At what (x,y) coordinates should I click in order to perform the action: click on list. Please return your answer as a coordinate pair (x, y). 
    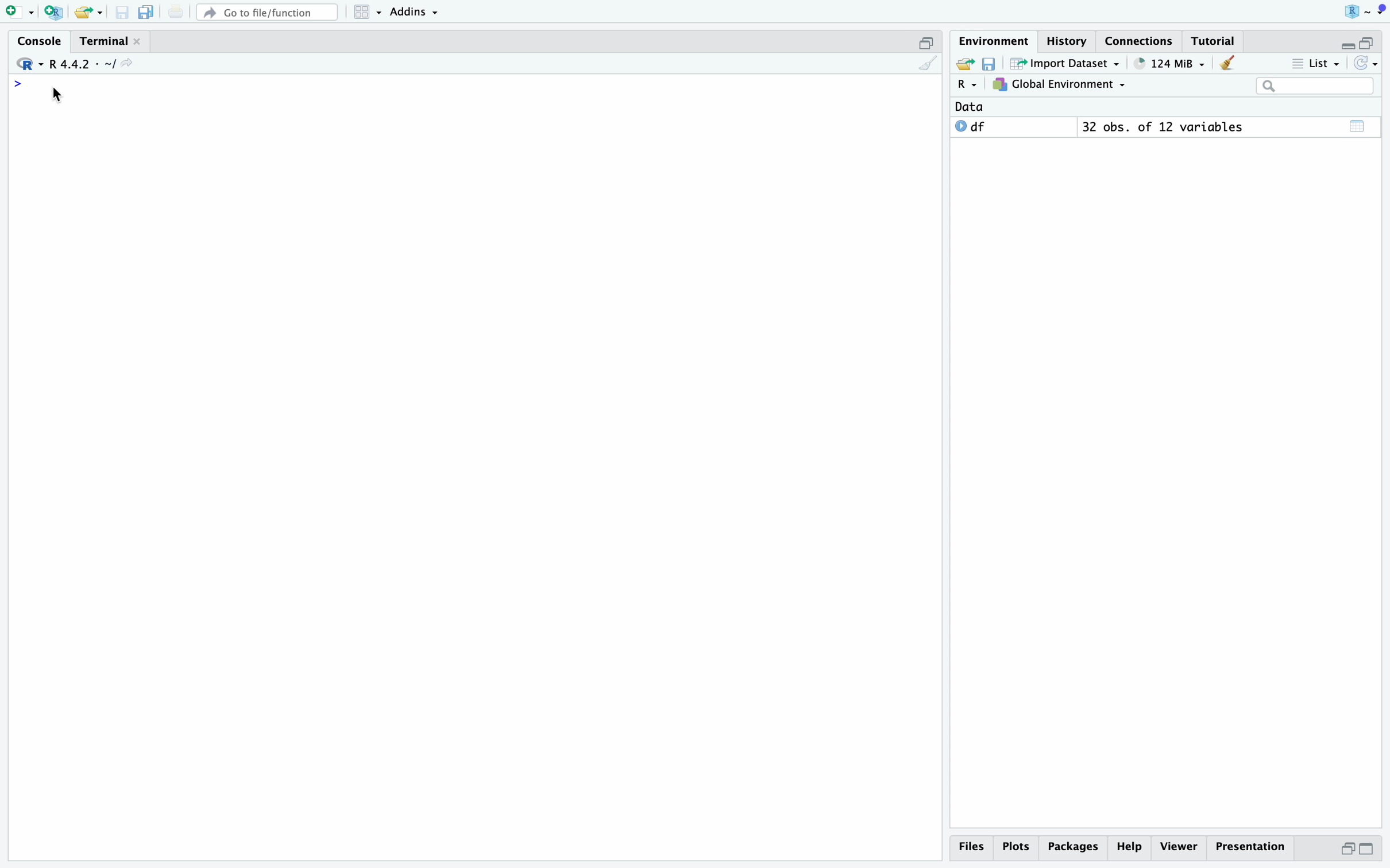
    Looking at the image, I should click on (1316, 64).